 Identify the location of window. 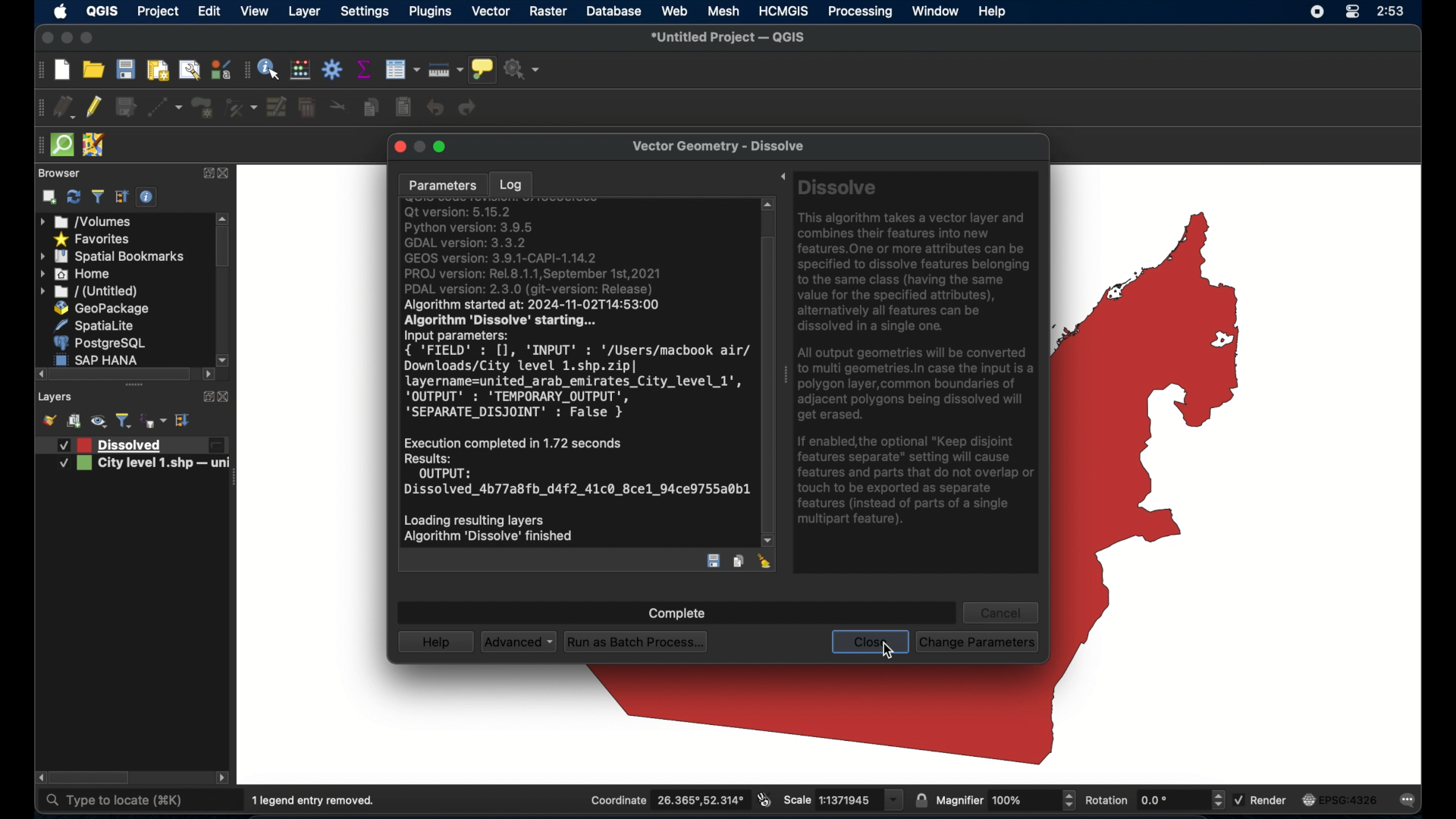
(935, 11).